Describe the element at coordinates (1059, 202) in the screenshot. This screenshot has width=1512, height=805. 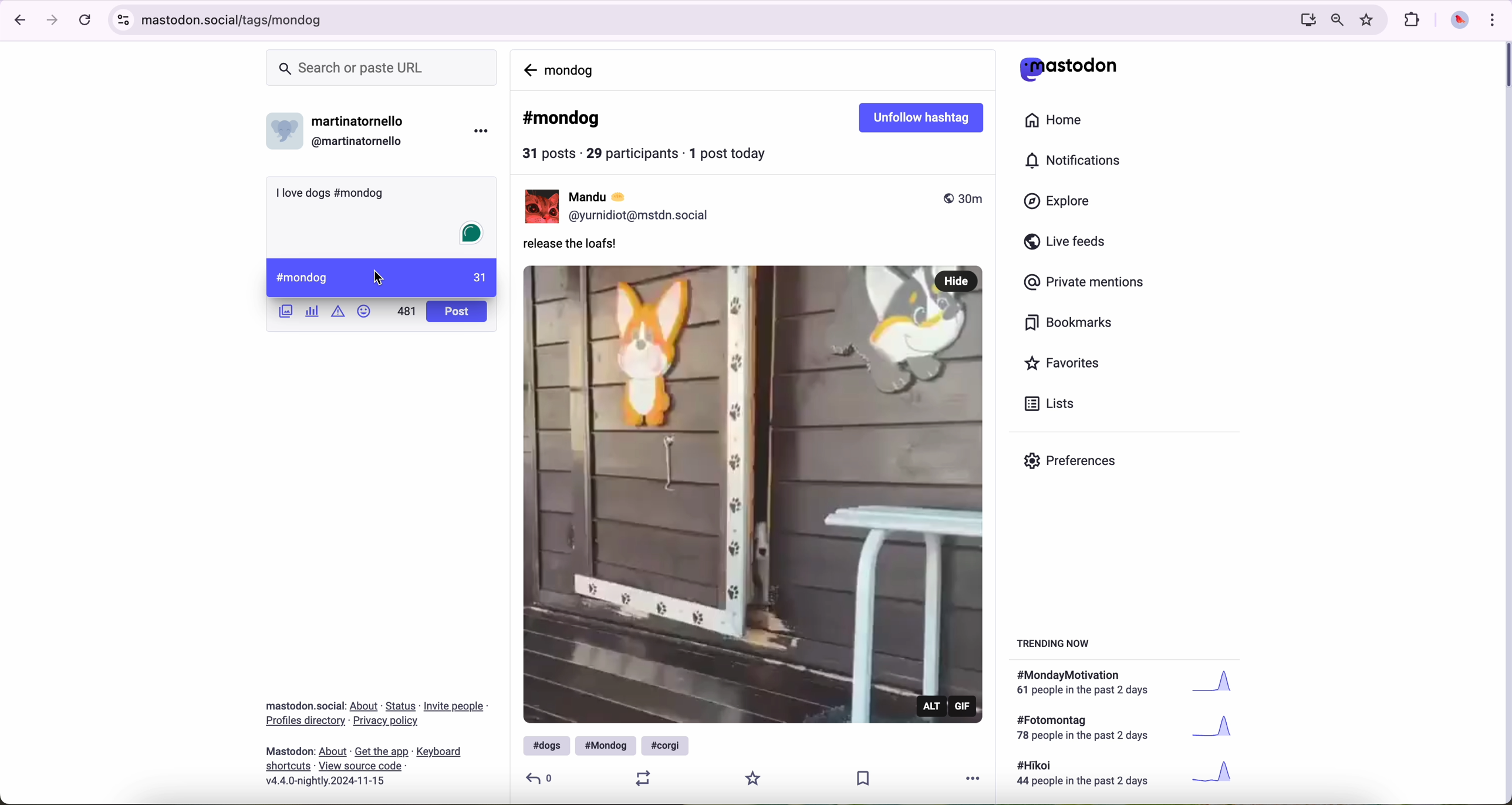
I see `explore` at that location.